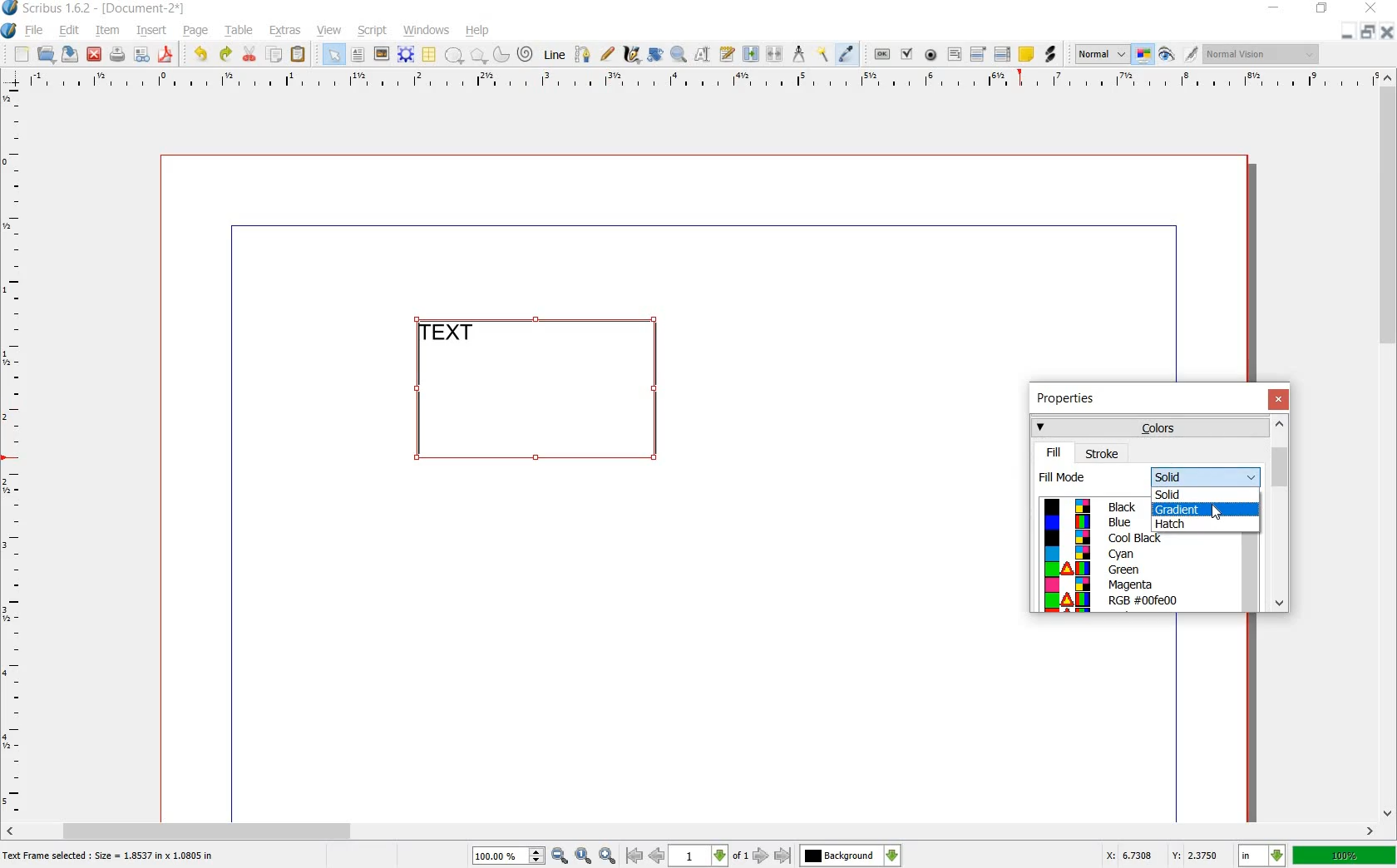 This screenshot has height=868, width=1397. What do you see at coordinates (152, 32) in the screenshot?
I see `insert` at bounding box center [152, 32].